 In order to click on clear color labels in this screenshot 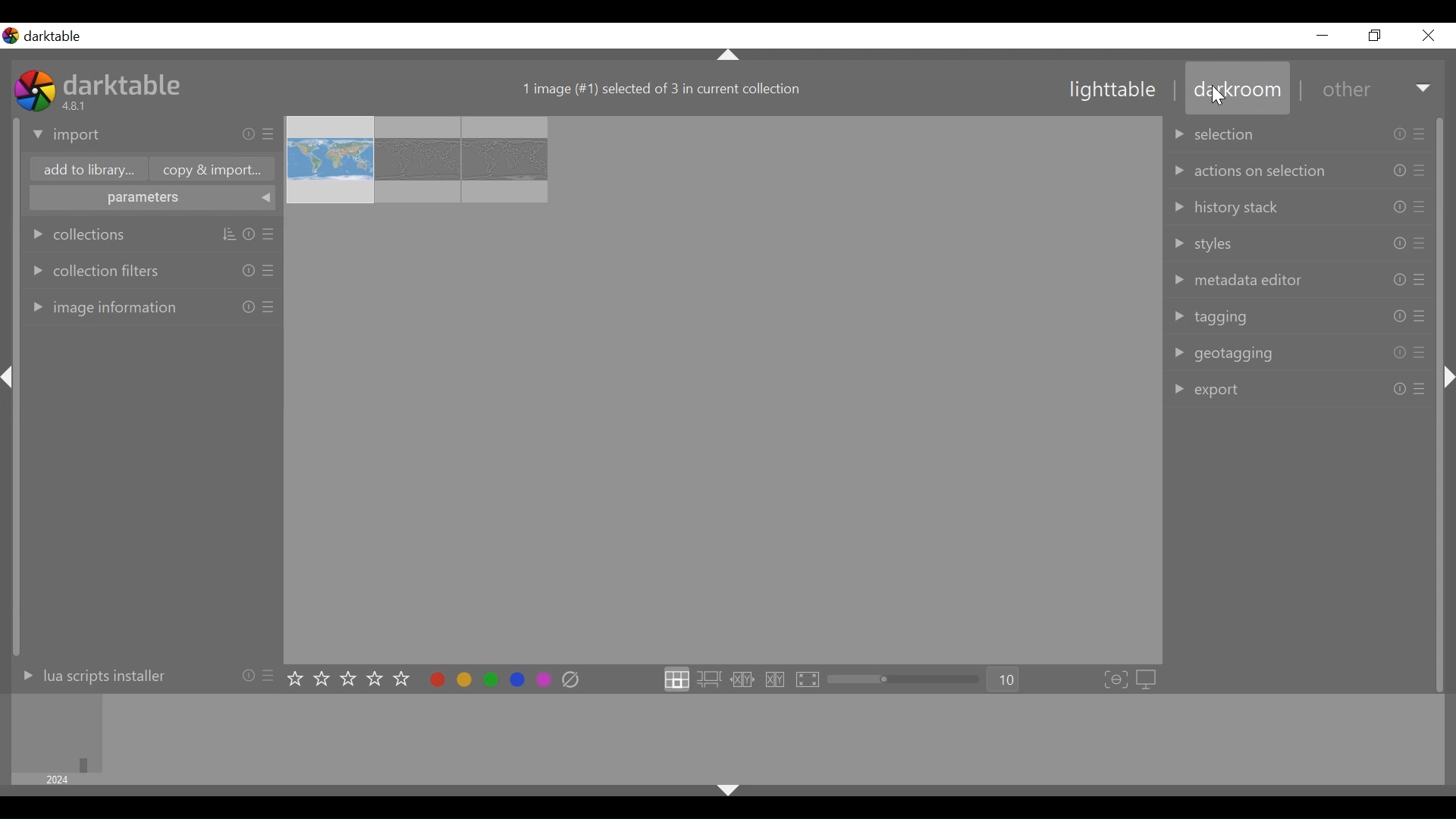, I will do `click(570, 680)`.